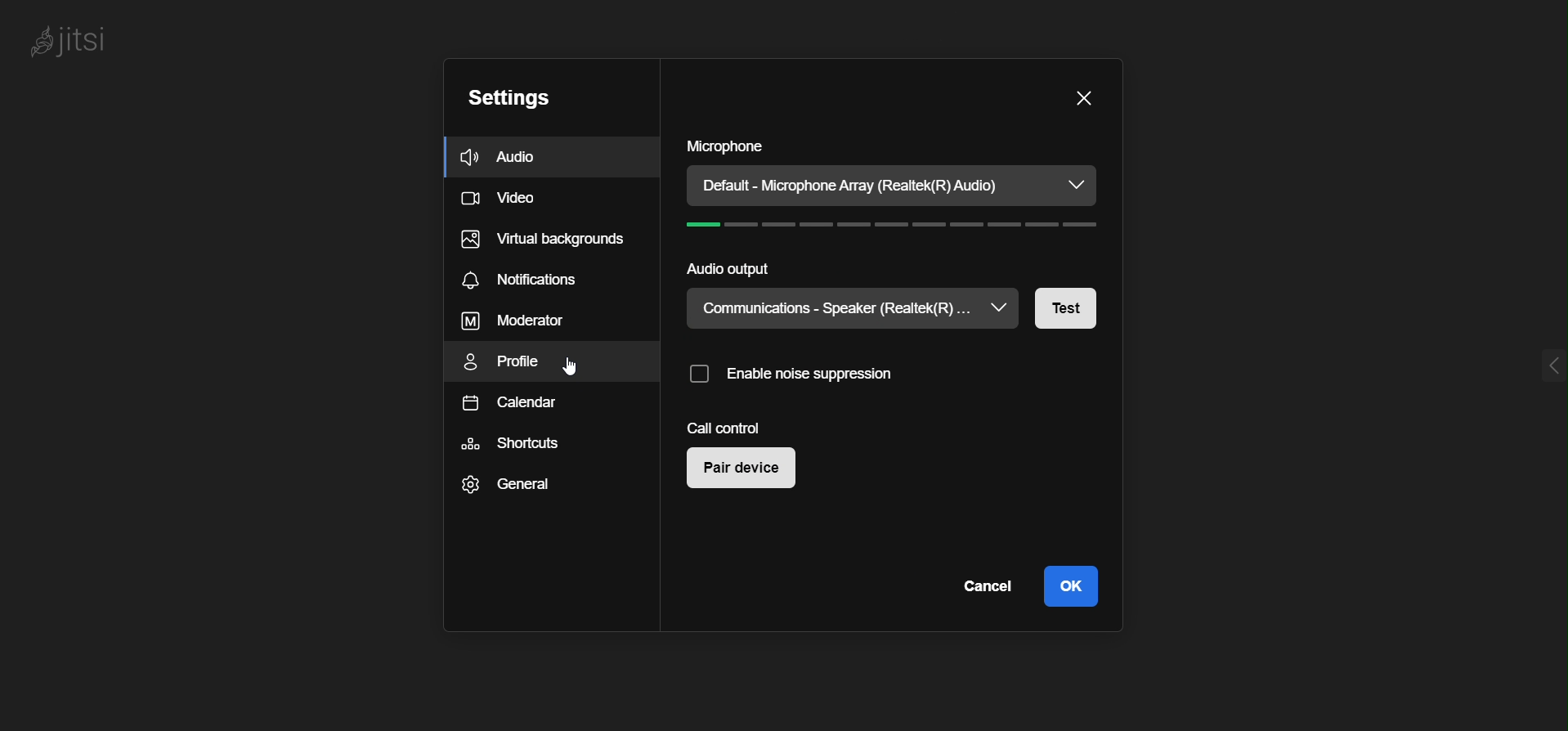  I want to click on calendar, so click(508, 406).